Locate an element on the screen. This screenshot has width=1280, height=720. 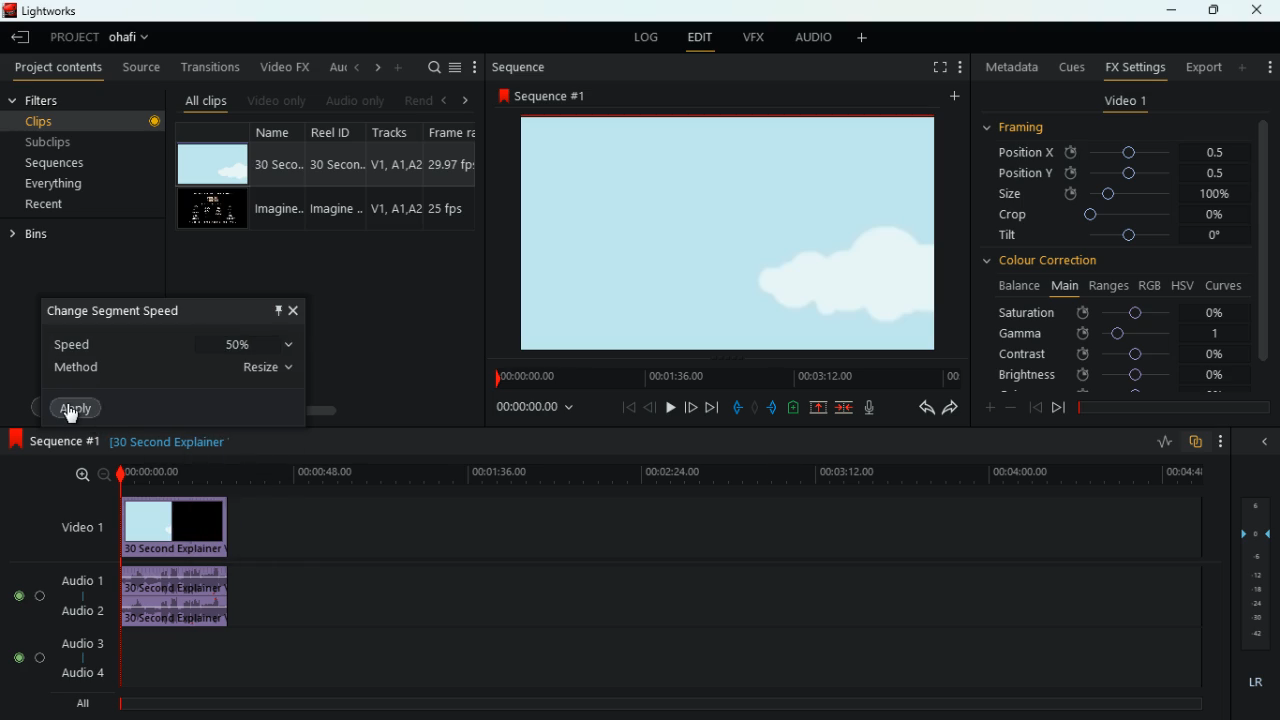
join is located at coordinates (846, 407).